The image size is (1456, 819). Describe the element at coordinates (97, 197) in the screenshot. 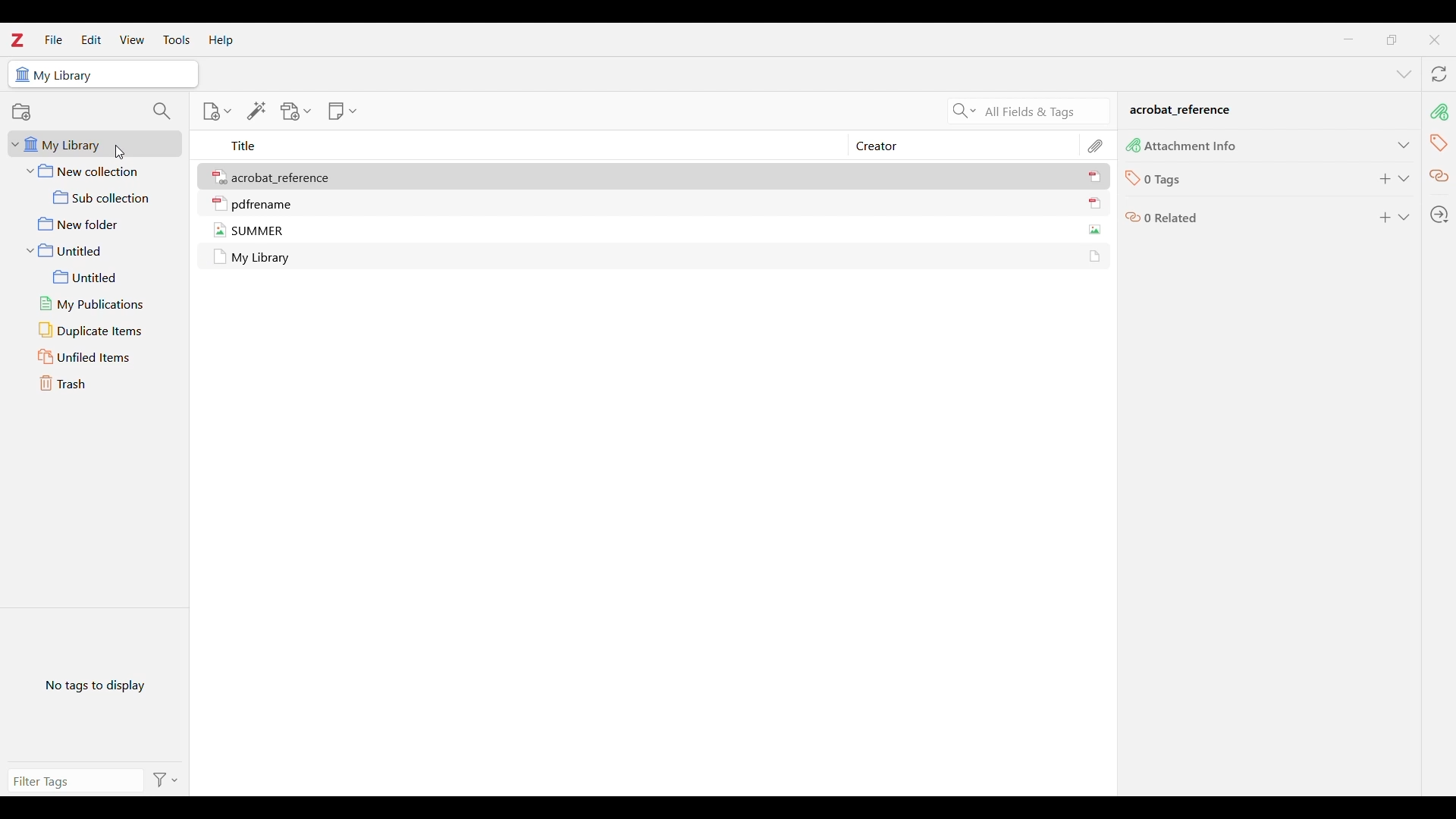

I see `Sub collection` at that location.